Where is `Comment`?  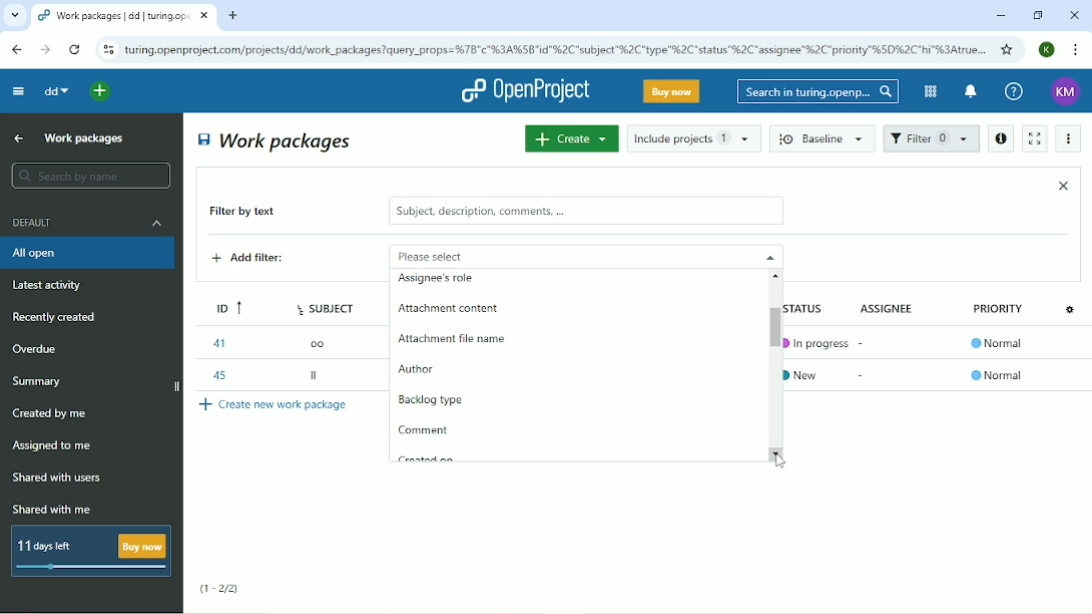 Comment is located at coordinates (428, 429).